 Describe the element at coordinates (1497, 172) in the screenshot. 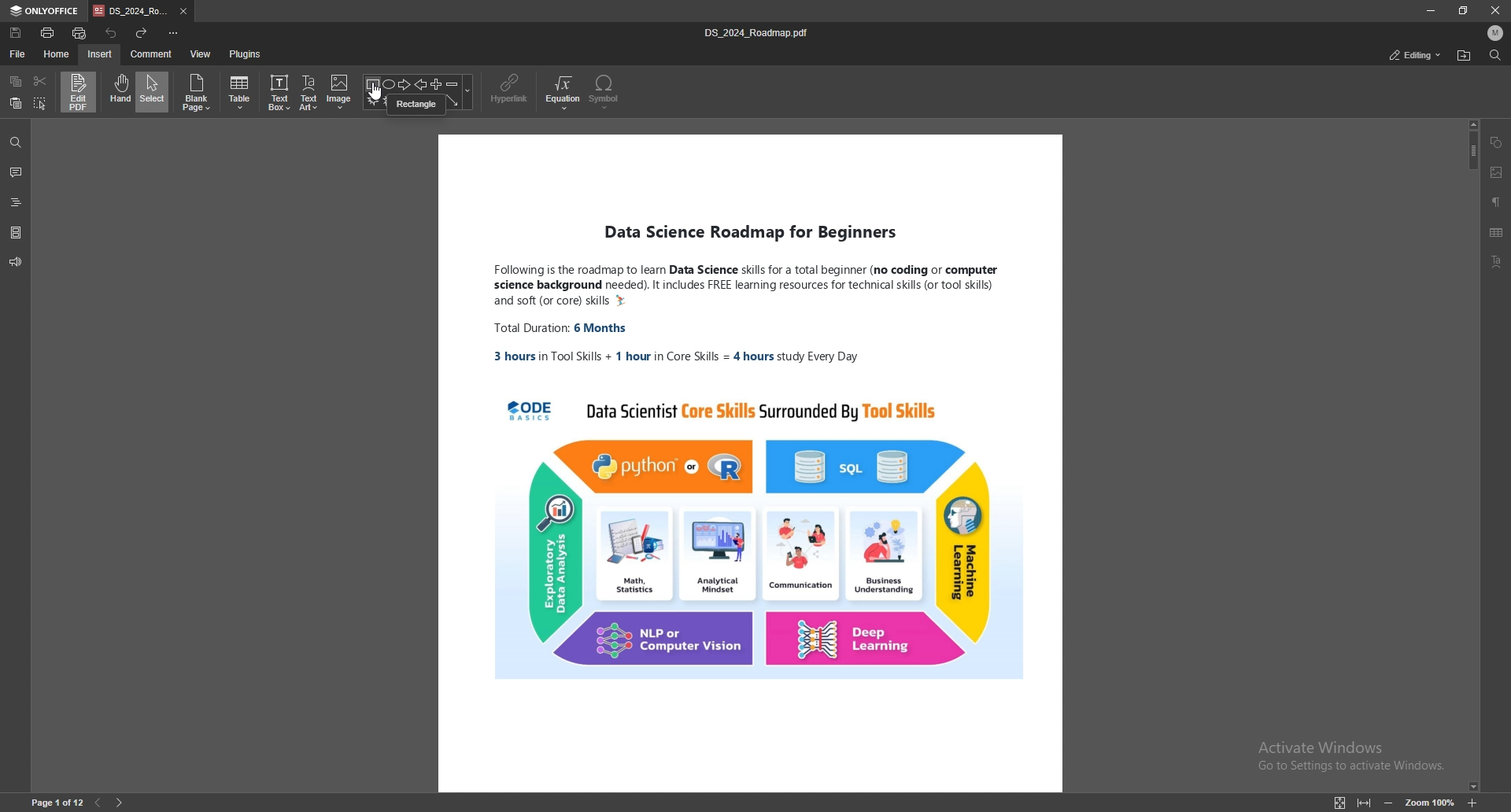

I see `image` at that location.